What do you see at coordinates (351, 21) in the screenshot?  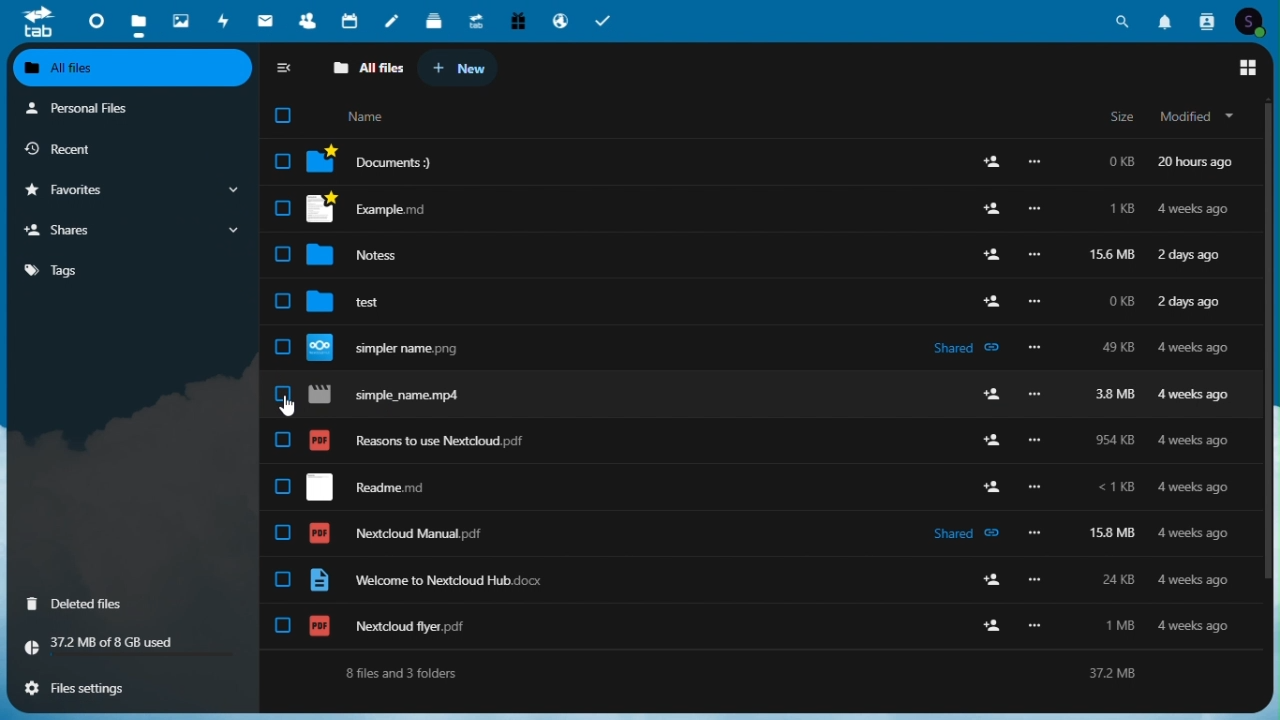 I see `Calendar` at bounding box center [351, 21].